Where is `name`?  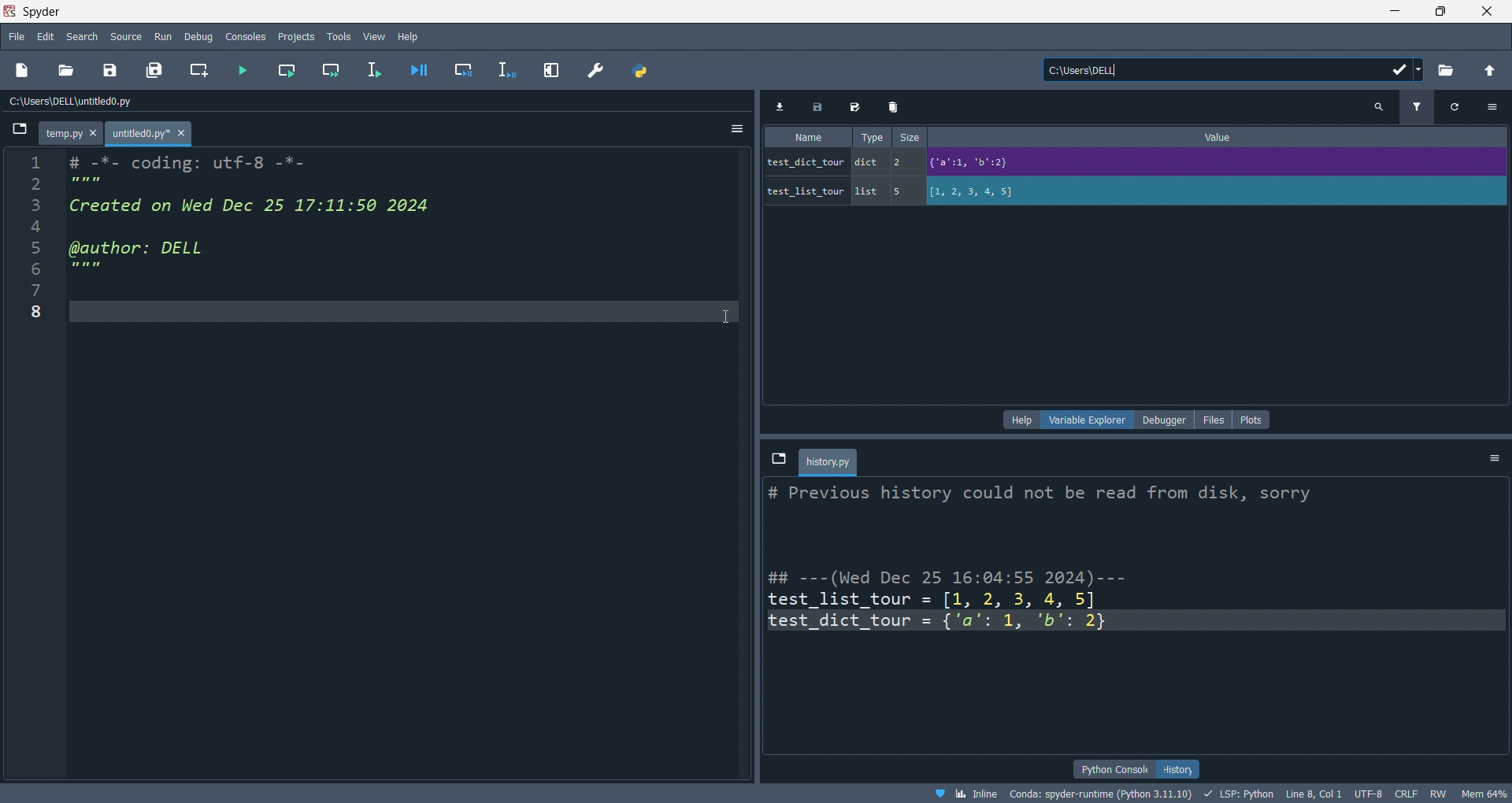 name is located at coordinates (807, 138).